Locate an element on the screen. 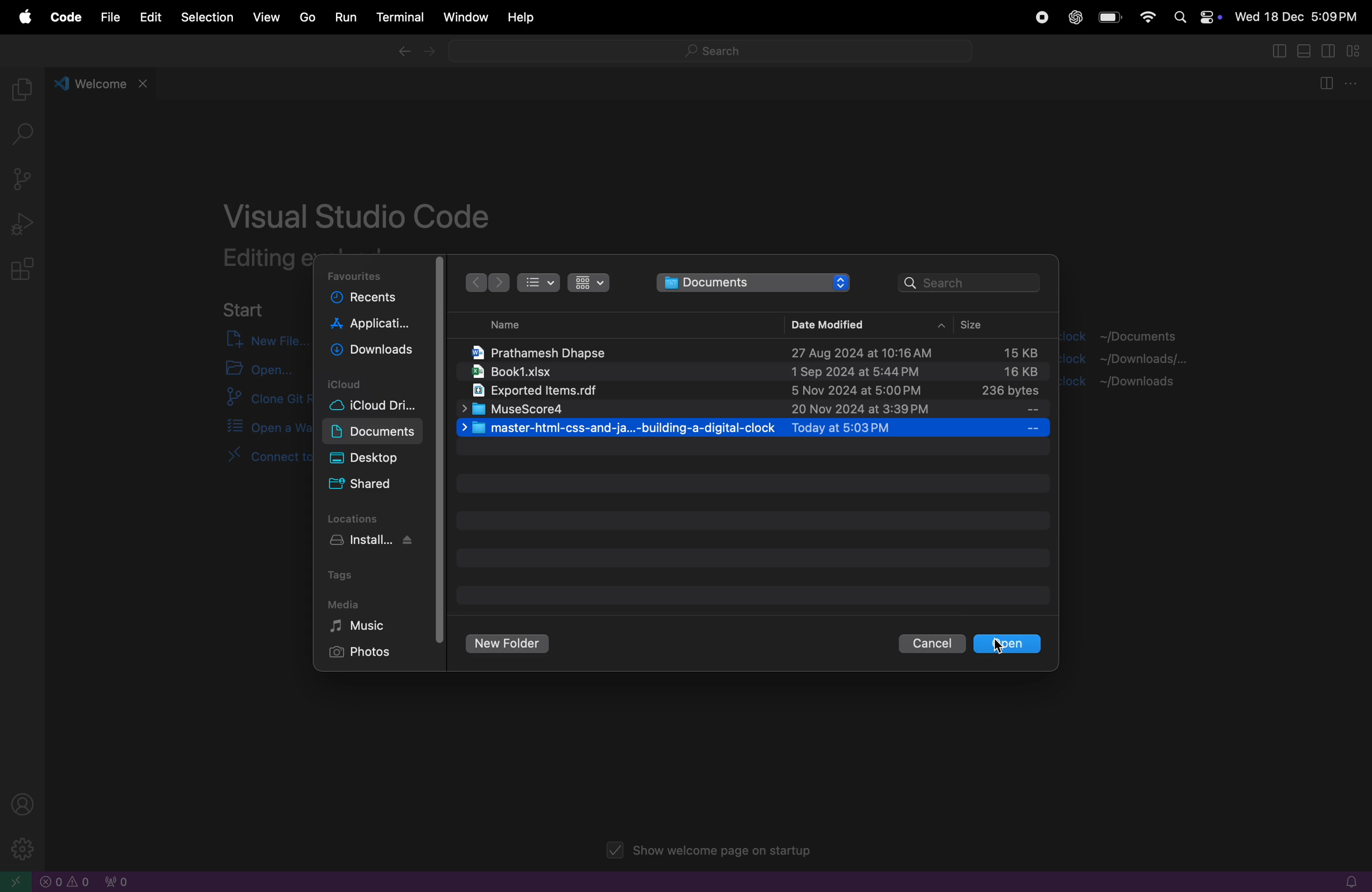 This screenshot has height=892, width=1372. chatgpt is located at coordinates (1075, 18).